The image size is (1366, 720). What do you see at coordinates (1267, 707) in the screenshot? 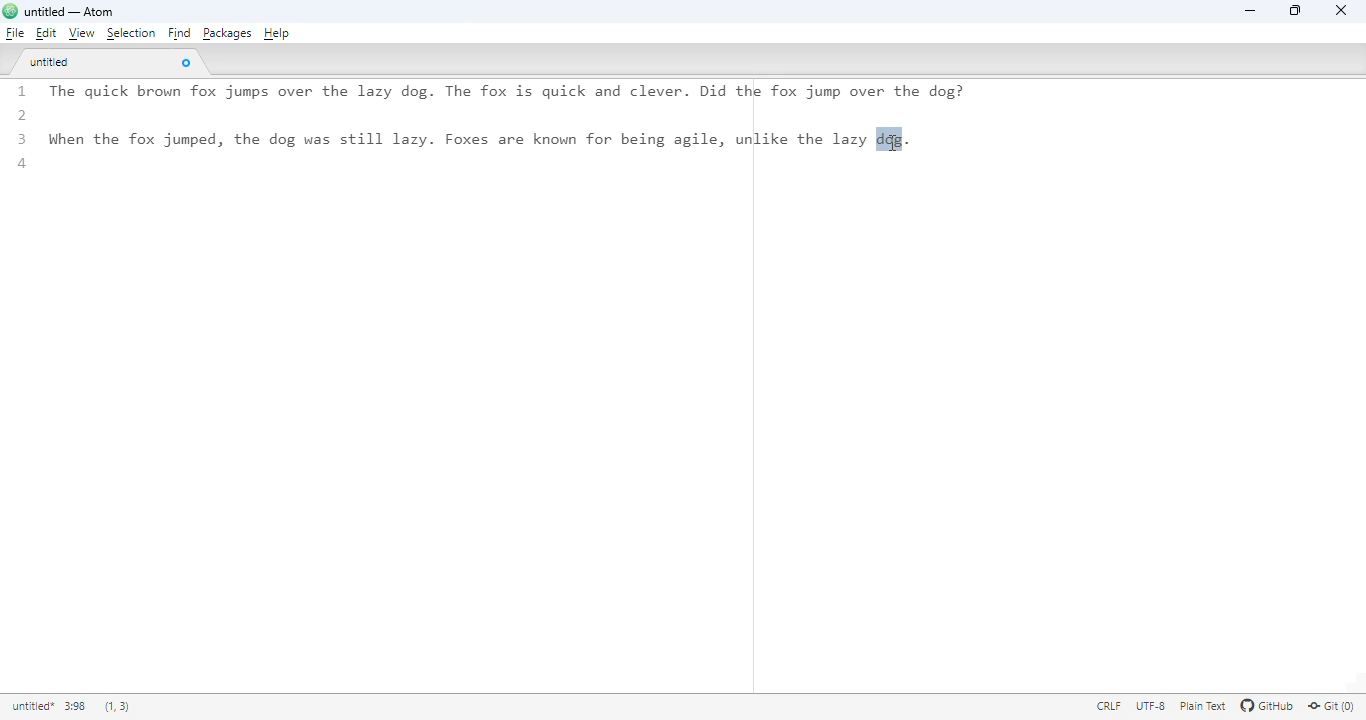
I see `GitHub` at bounding box center [1267, 707].